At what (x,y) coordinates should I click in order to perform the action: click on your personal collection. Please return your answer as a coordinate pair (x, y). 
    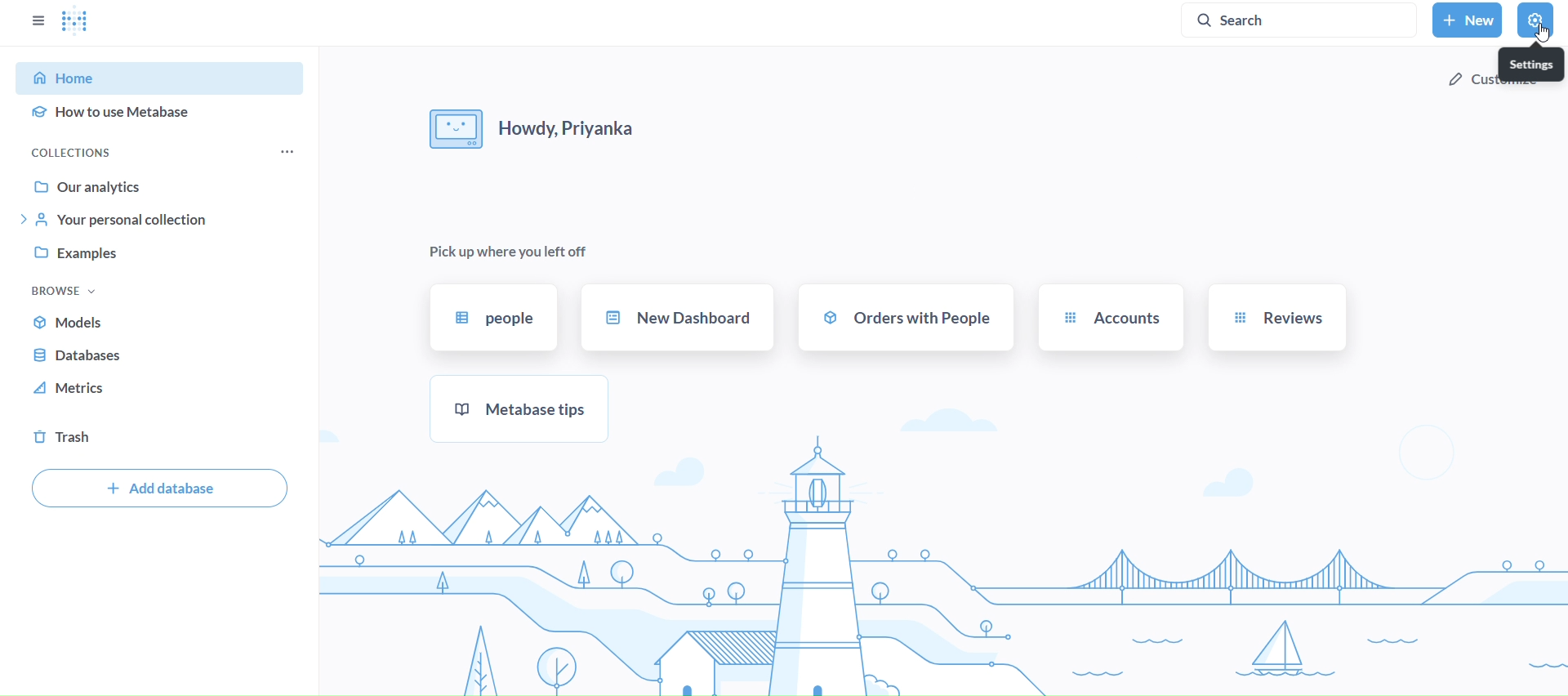
    Looking at the image, I should click on (167, 221).